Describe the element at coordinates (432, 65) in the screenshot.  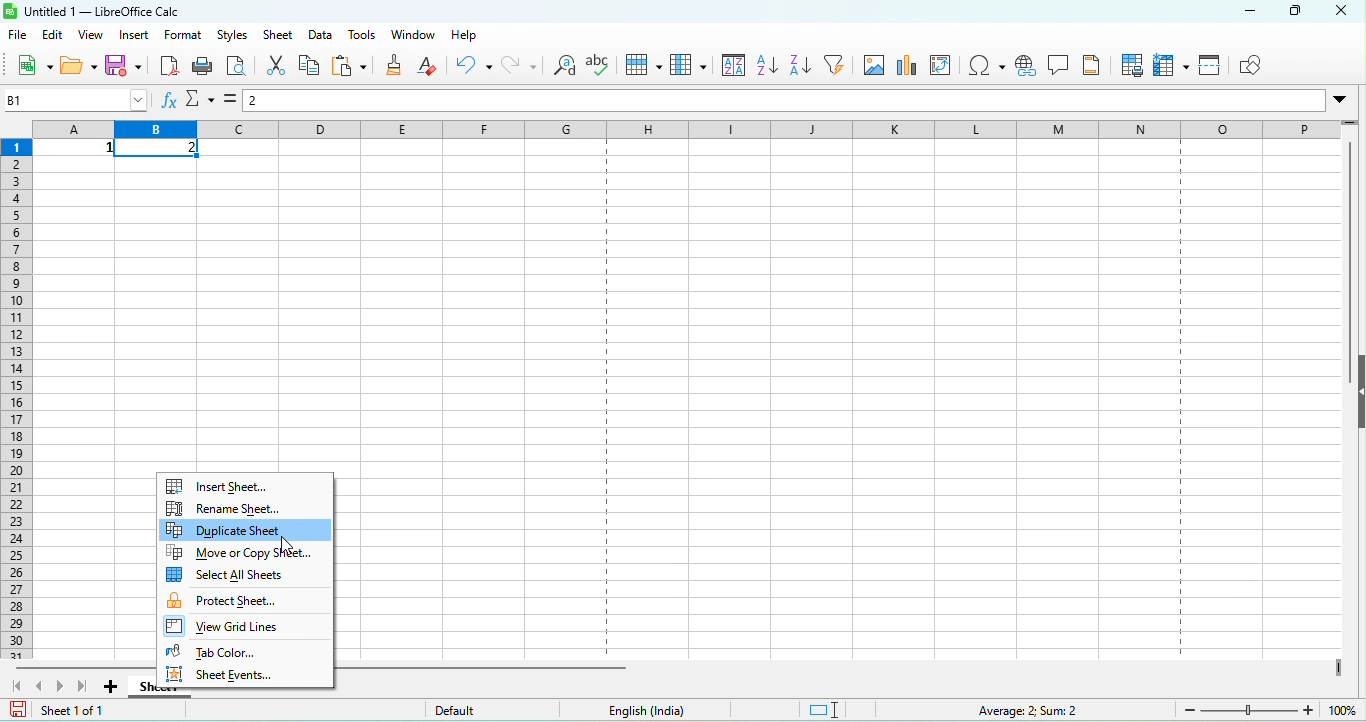
I see `clear direct formatting` at that location.